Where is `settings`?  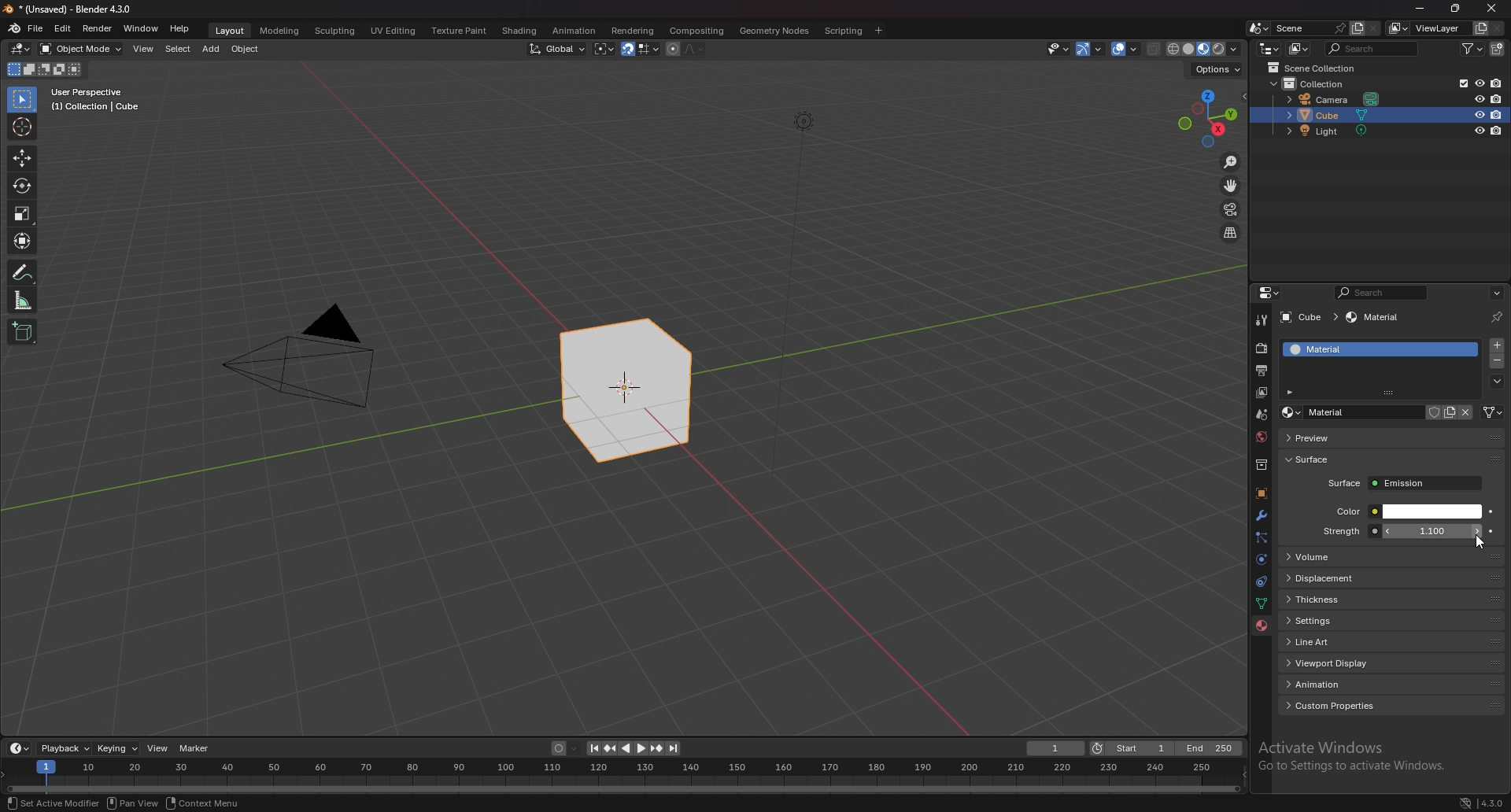
settings is located at coordinates (1391, 621).